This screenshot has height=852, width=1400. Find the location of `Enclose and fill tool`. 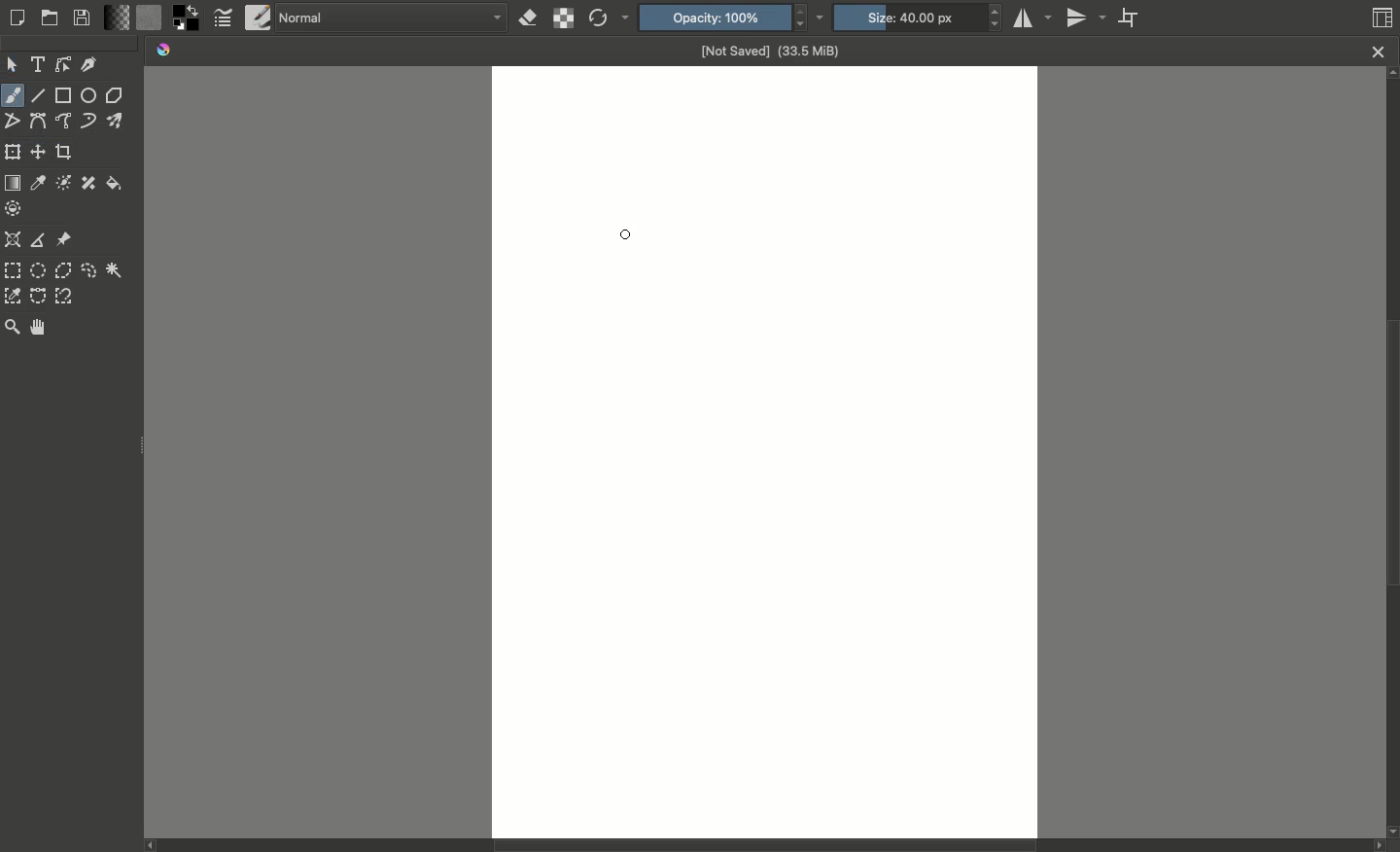

Enclose and fill tool is located at coordinates (16, 206).